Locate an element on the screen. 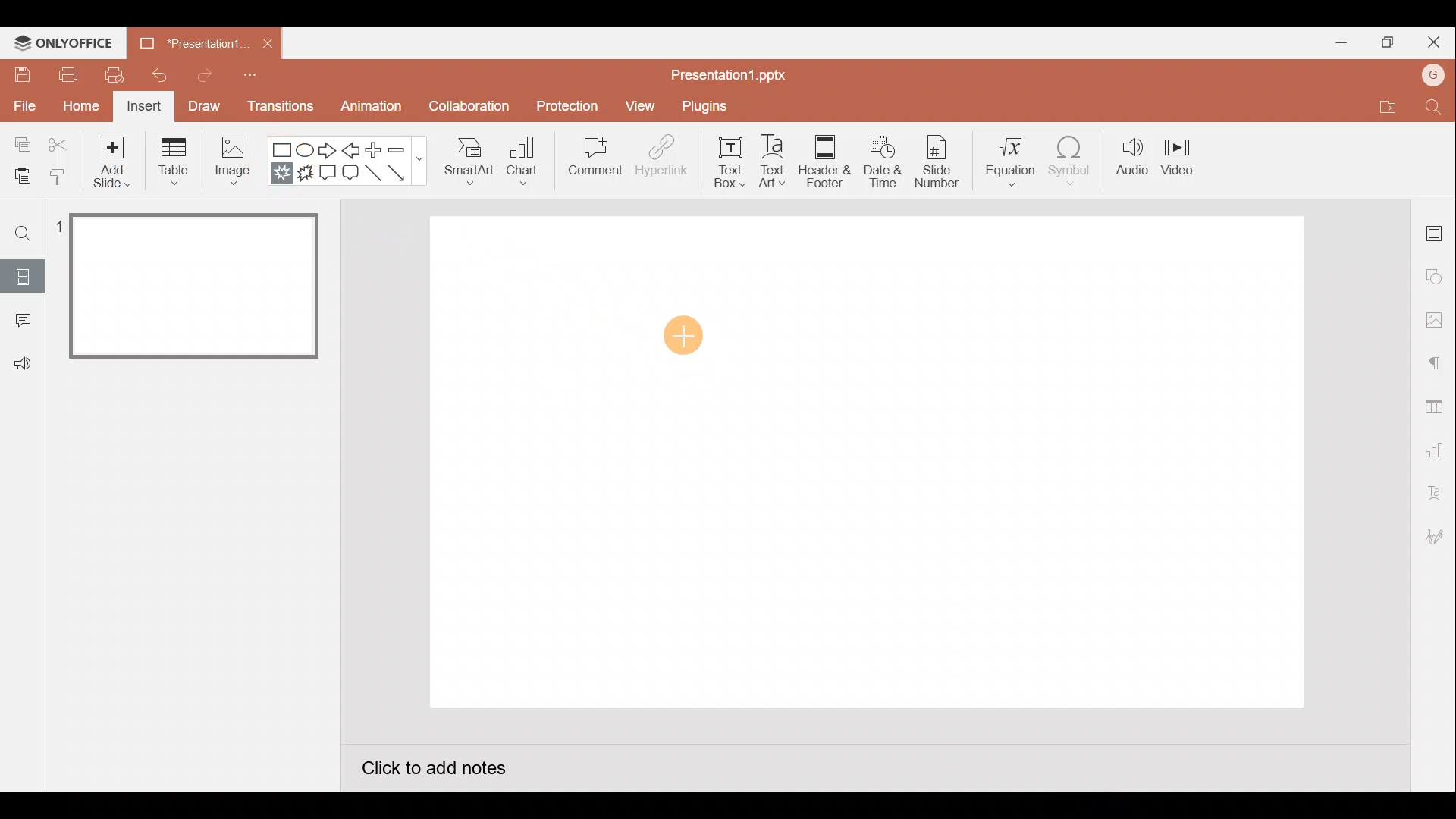  Slide 1 is located at coordinates (184, 287).